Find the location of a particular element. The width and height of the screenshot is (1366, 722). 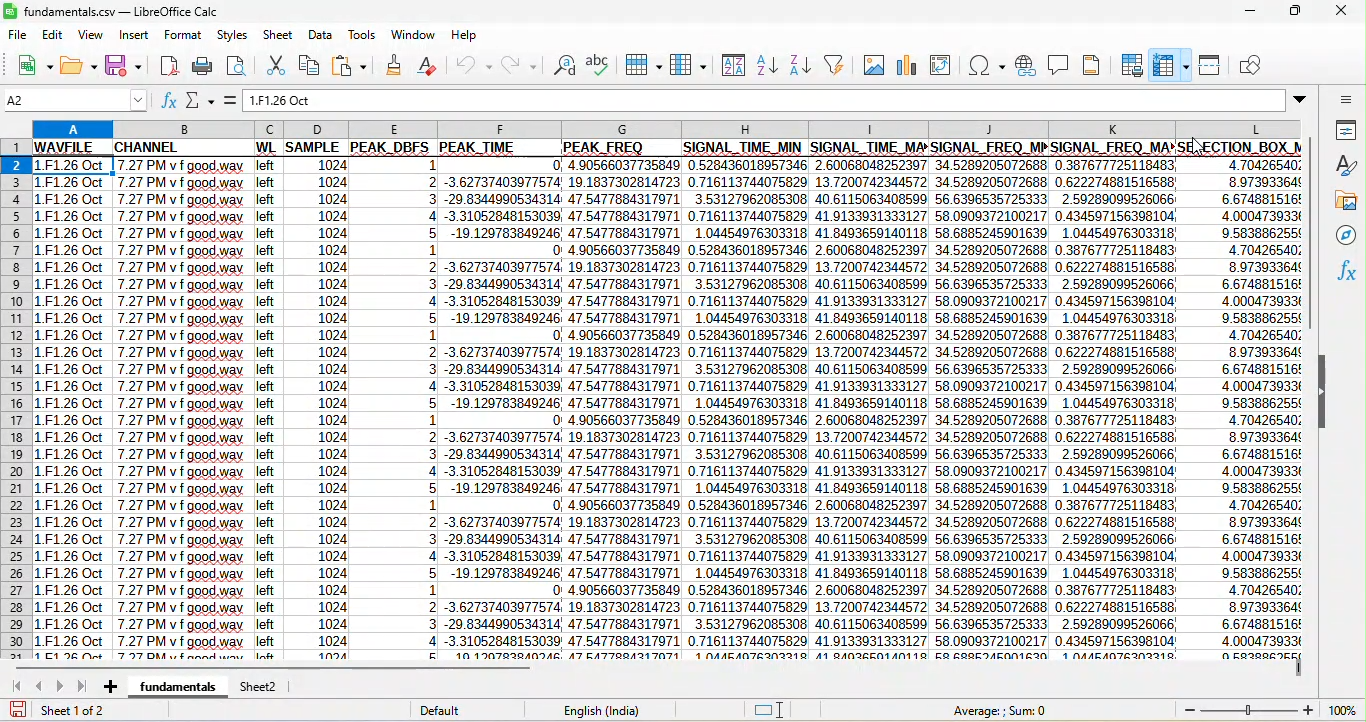

spelling is located at coordinates (600, 60).